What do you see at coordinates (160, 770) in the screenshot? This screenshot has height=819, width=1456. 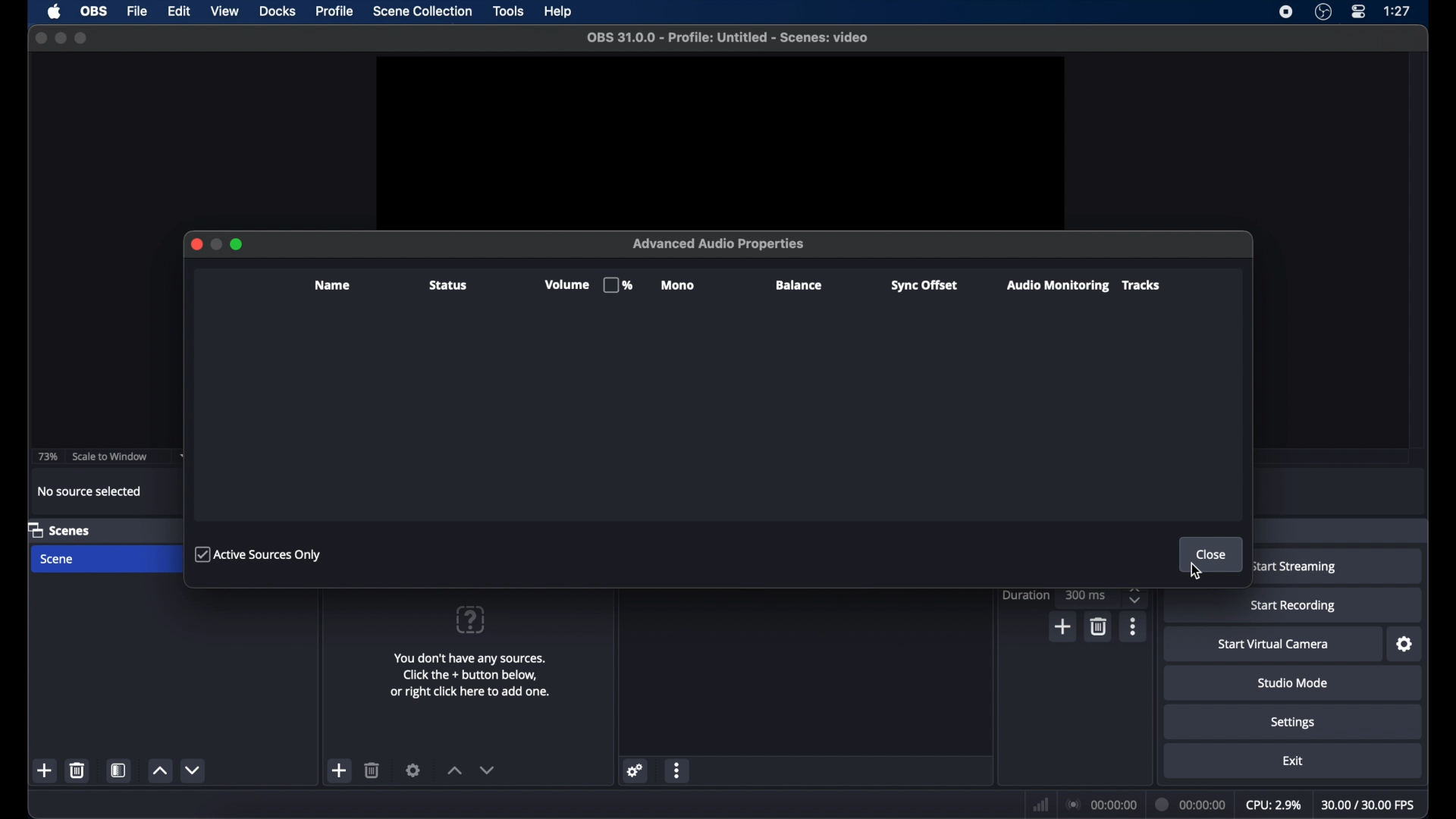 I see `increment` at bounding box center [160, 770].